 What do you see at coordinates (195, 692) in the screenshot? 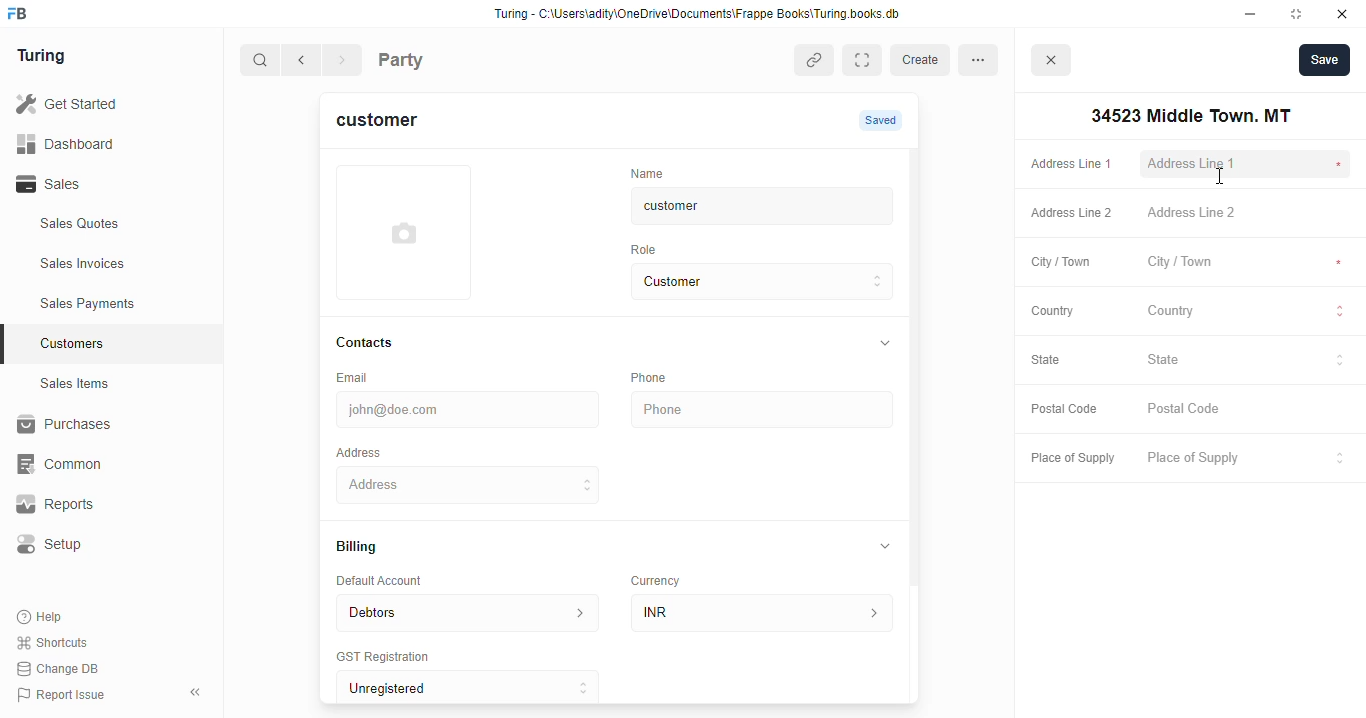
I see `collpase` at bounding box center [195, 692].